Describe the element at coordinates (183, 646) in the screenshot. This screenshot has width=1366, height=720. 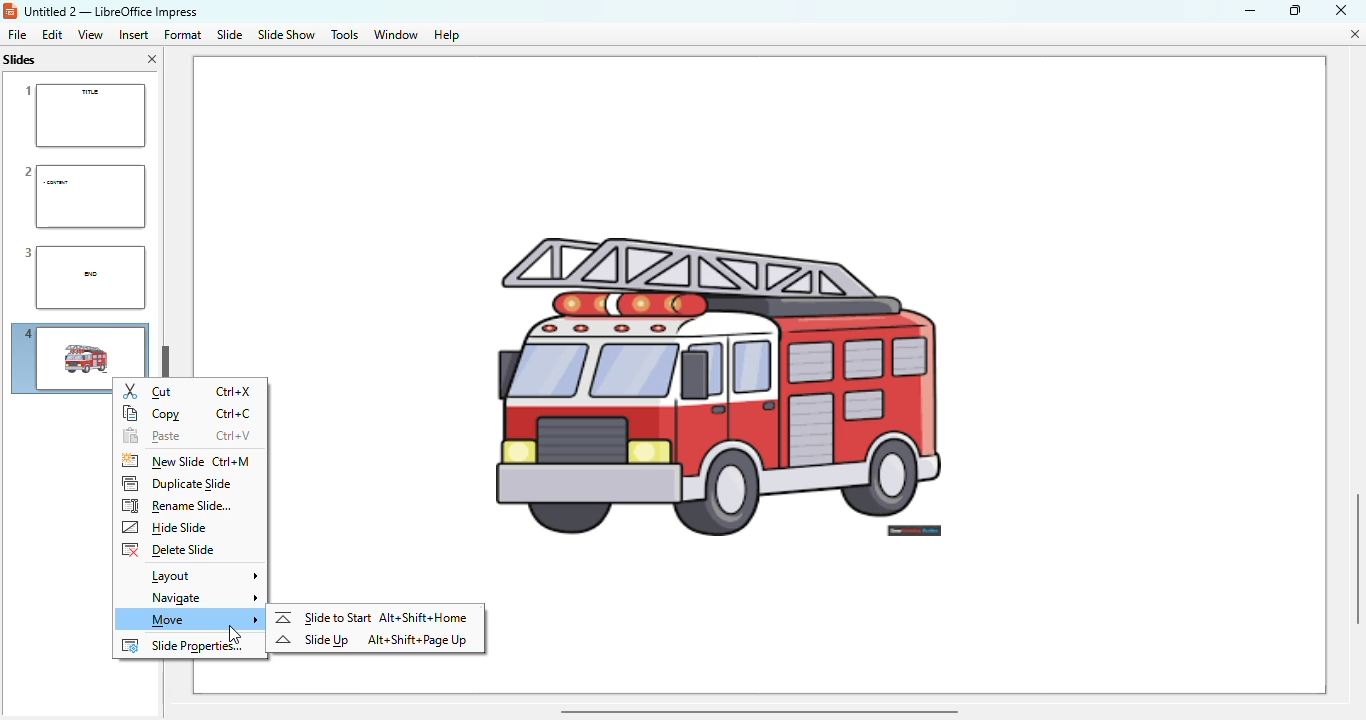
I see `slide properties` at that location.